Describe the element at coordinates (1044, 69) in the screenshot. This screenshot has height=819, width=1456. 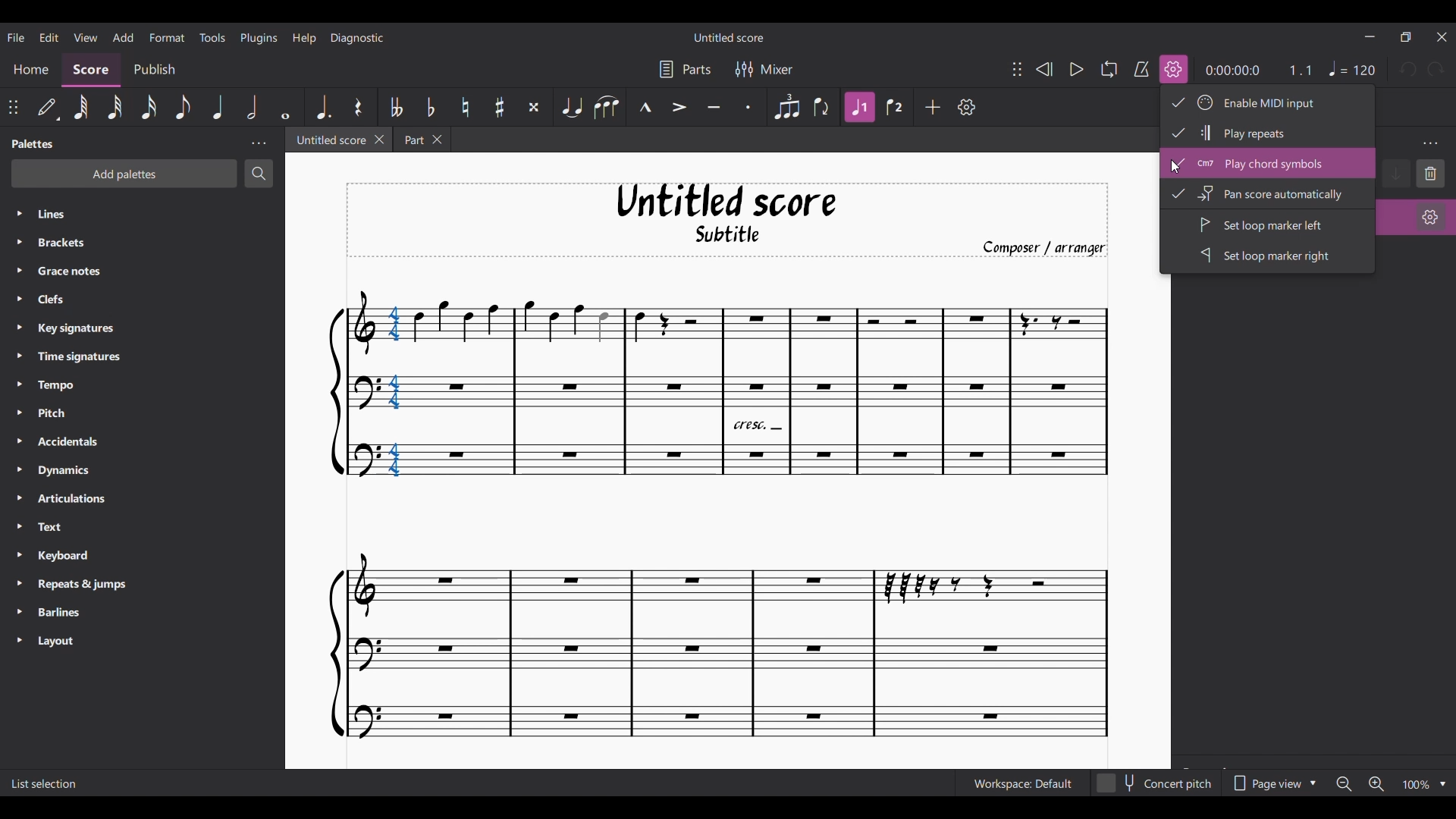
I see `Rewind` at that location.